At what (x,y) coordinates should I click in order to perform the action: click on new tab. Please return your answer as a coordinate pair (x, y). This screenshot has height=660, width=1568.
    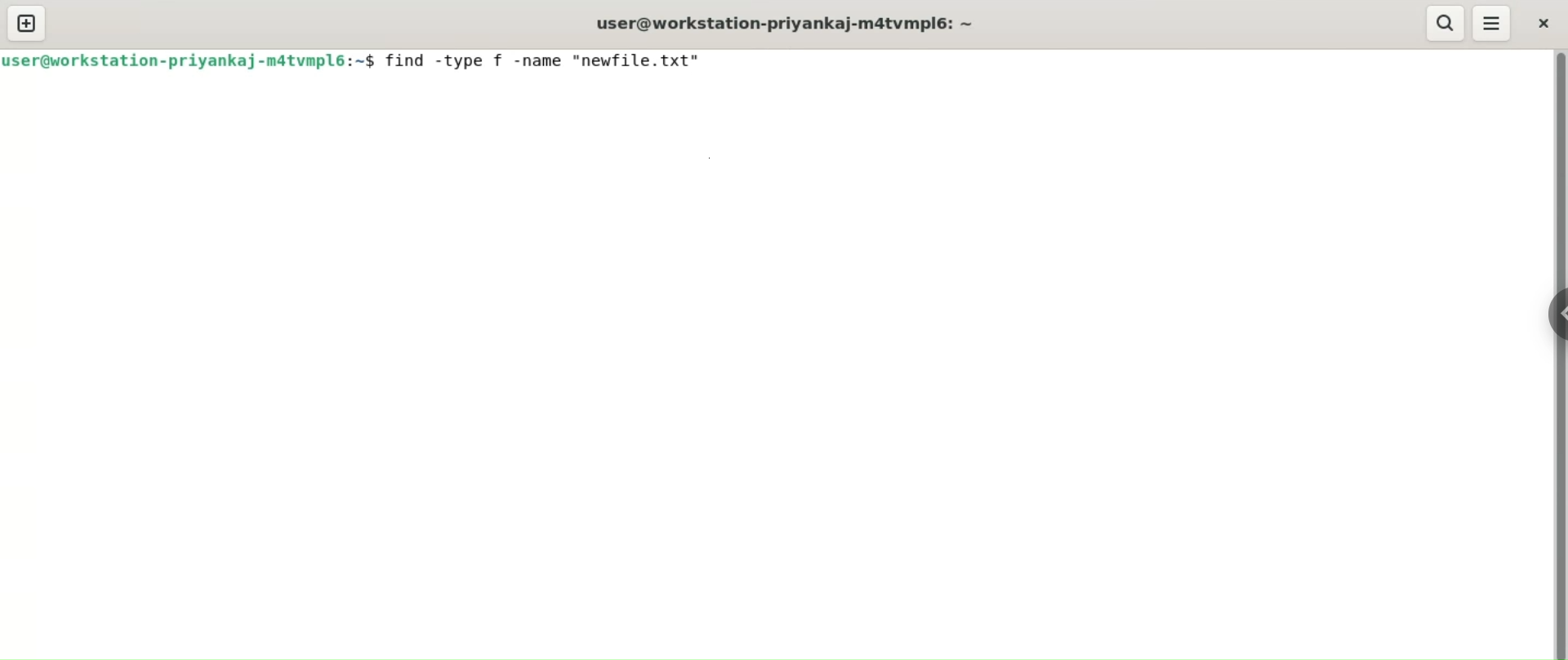
    Looking at the image, I should click on (25, 22).